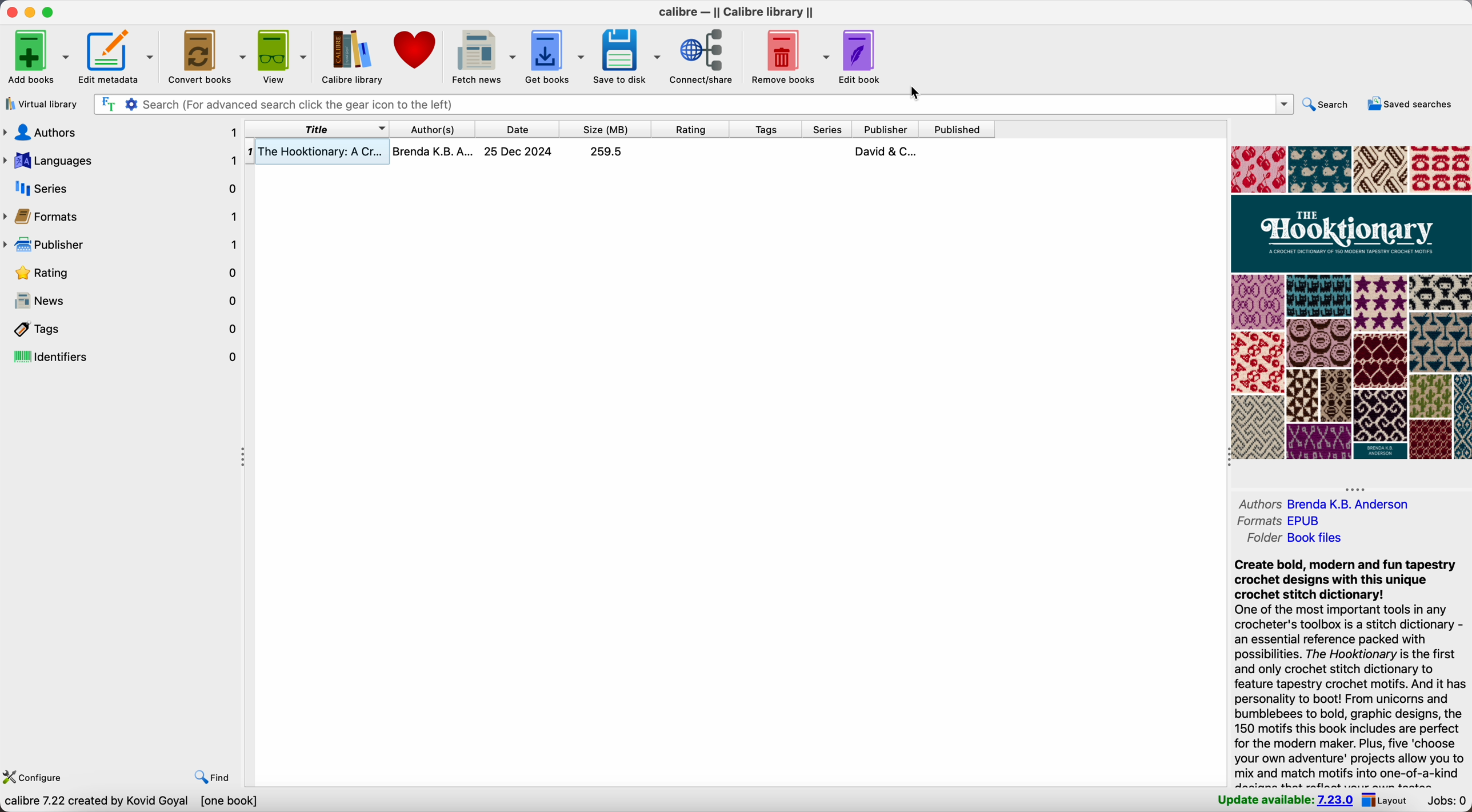  Describe the element at coordinates (1286, 801) in the screenshot. I see `update available` at that location.